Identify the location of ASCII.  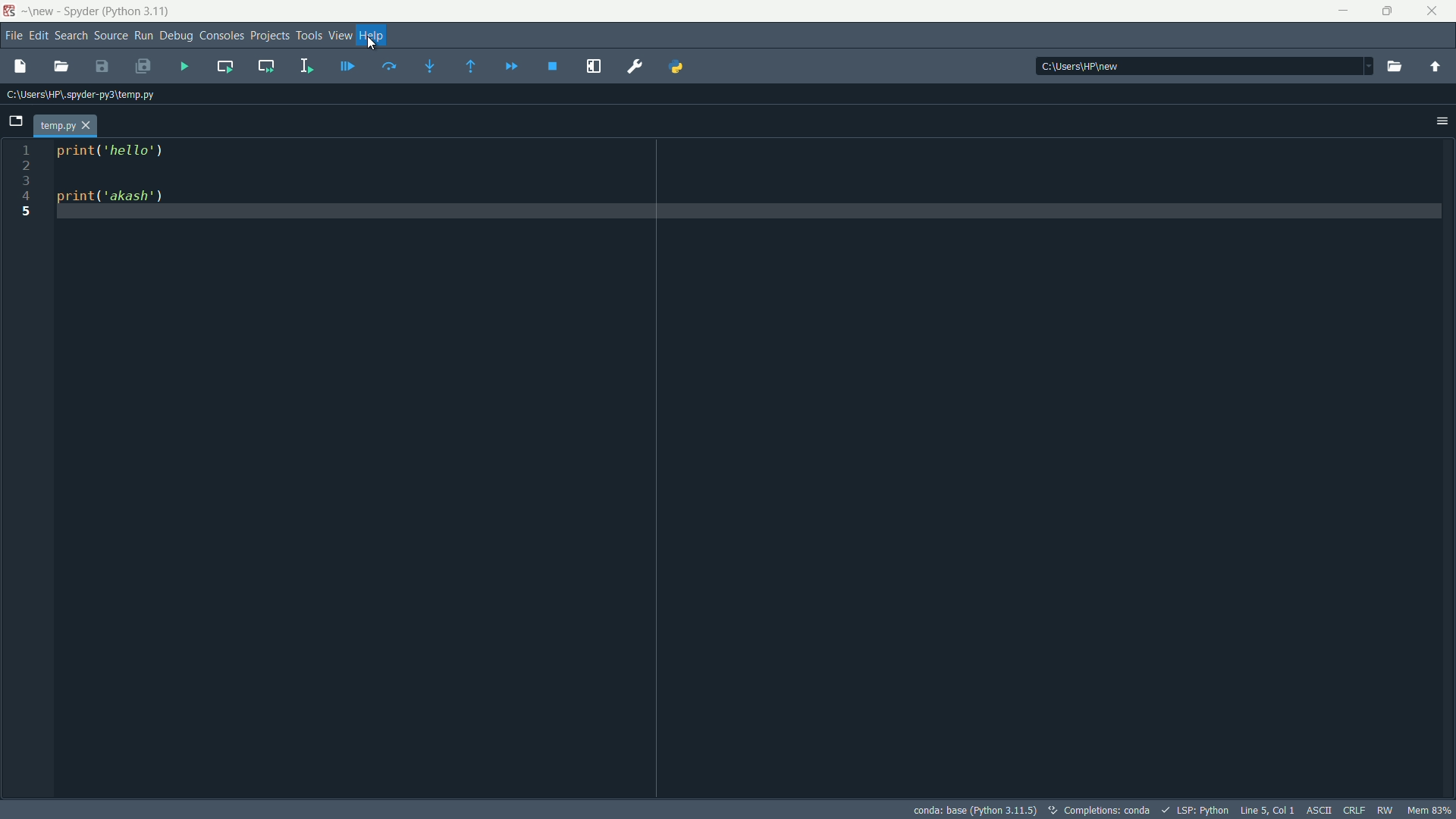
(1320, 810).